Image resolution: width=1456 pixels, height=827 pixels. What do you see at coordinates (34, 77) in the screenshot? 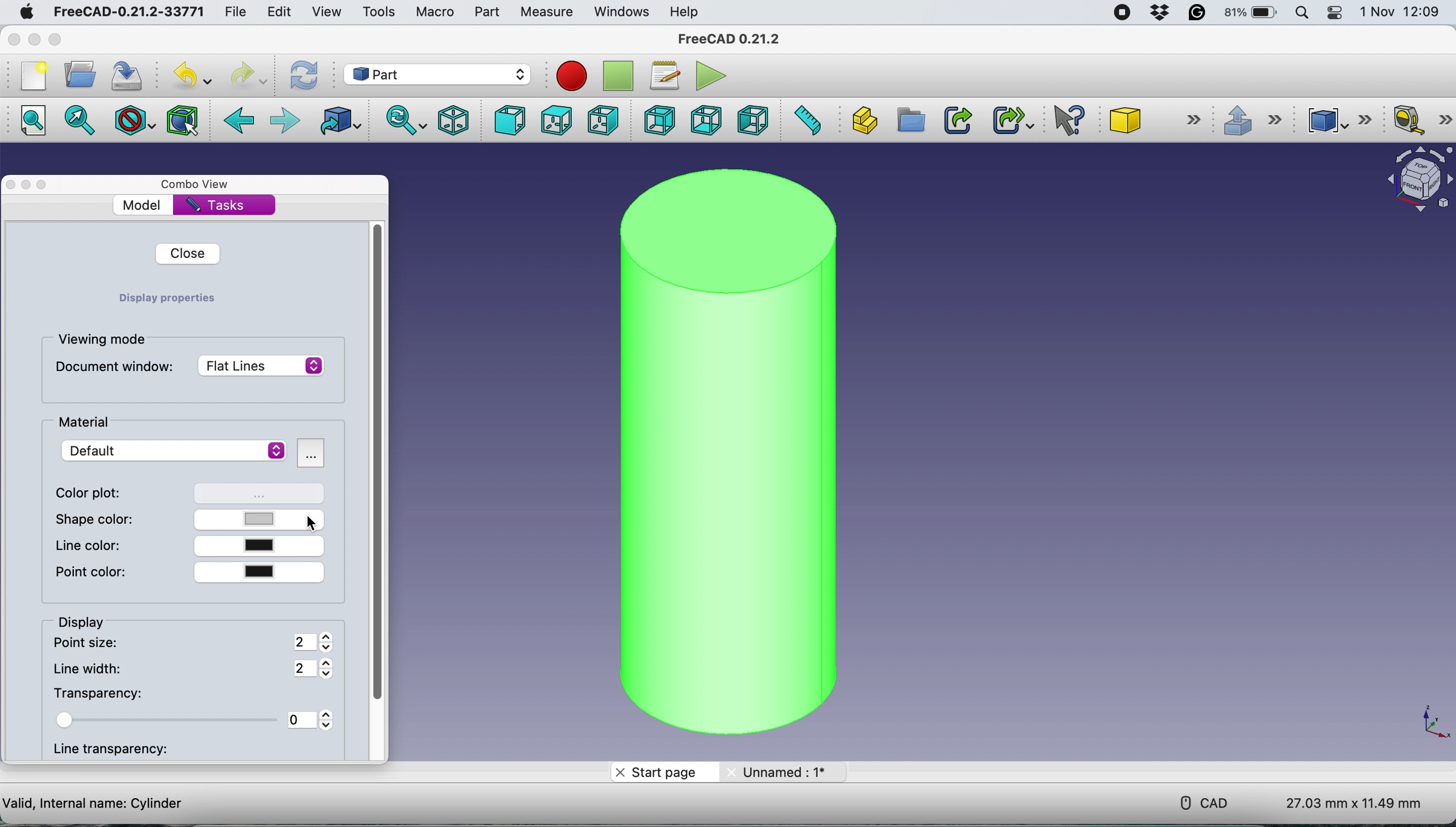
I see `new` at bounding box center [34, 77].